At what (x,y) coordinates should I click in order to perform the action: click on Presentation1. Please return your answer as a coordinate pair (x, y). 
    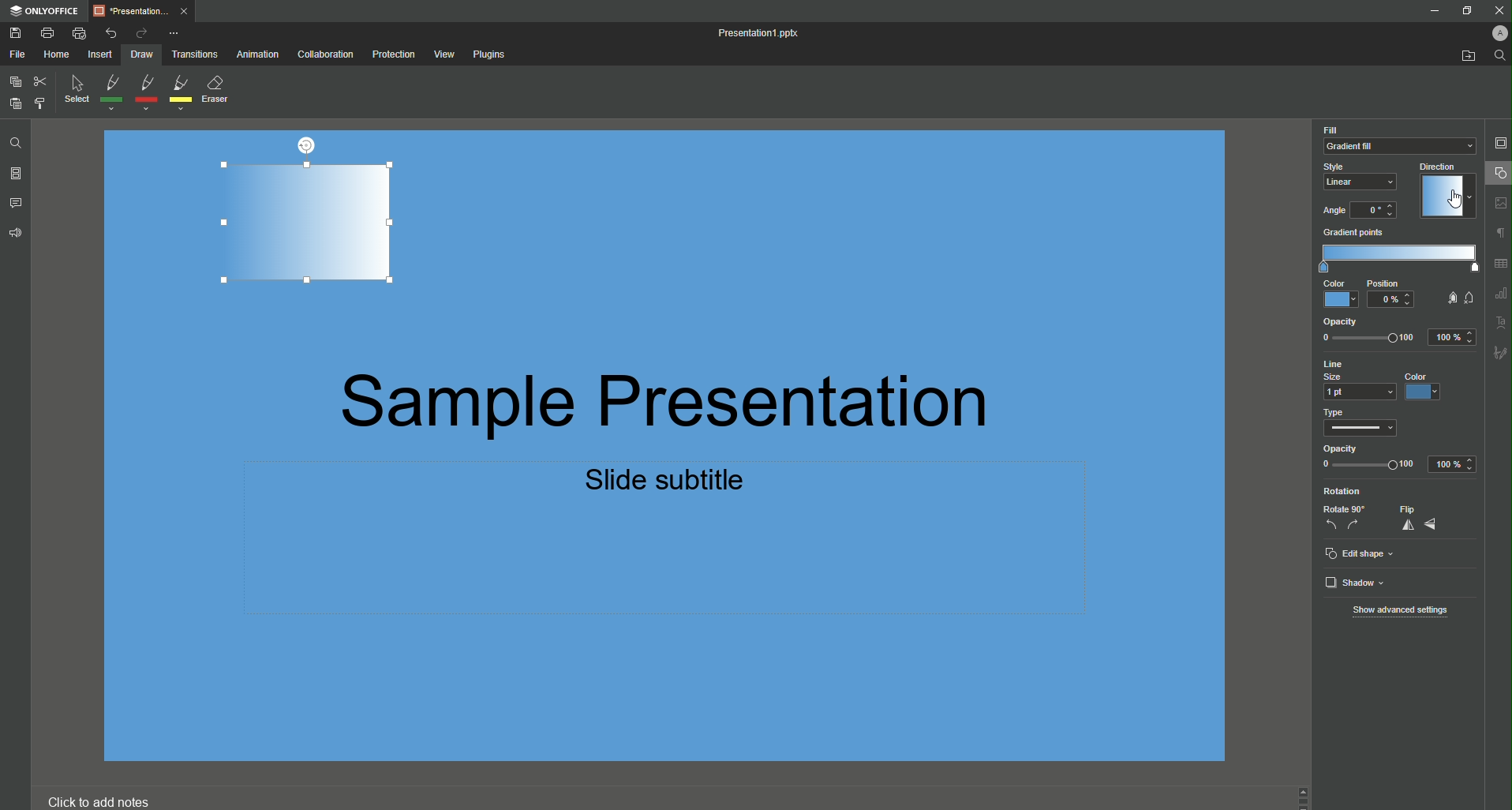
    Looking at the image, I should click on (765, 33).